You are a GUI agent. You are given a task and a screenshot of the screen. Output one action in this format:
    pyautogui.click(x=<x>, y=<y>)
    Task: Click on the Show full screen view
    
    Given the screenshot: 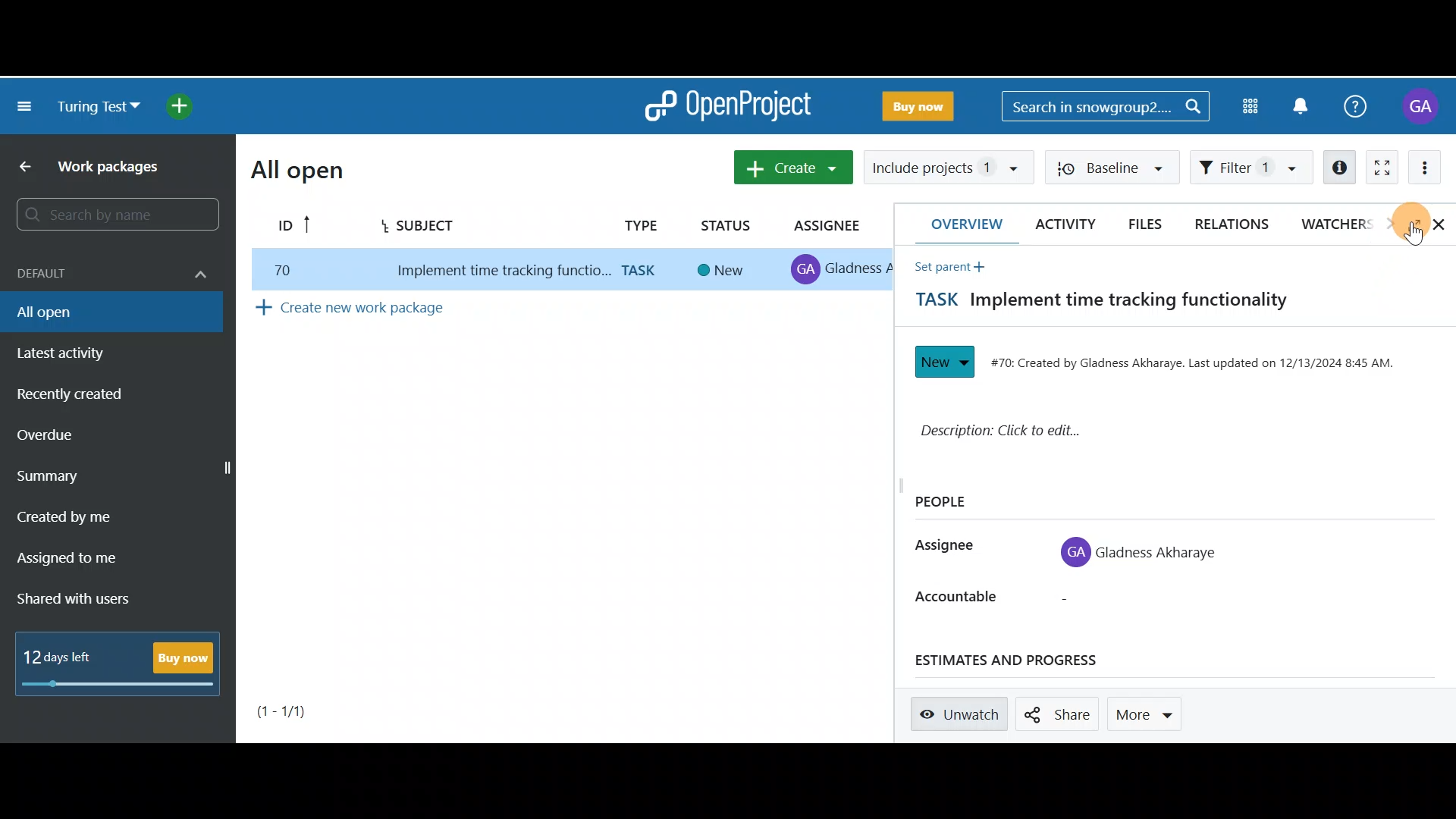 What is the action you would take?
    pyautogui.click(x=1402, y=223)
    